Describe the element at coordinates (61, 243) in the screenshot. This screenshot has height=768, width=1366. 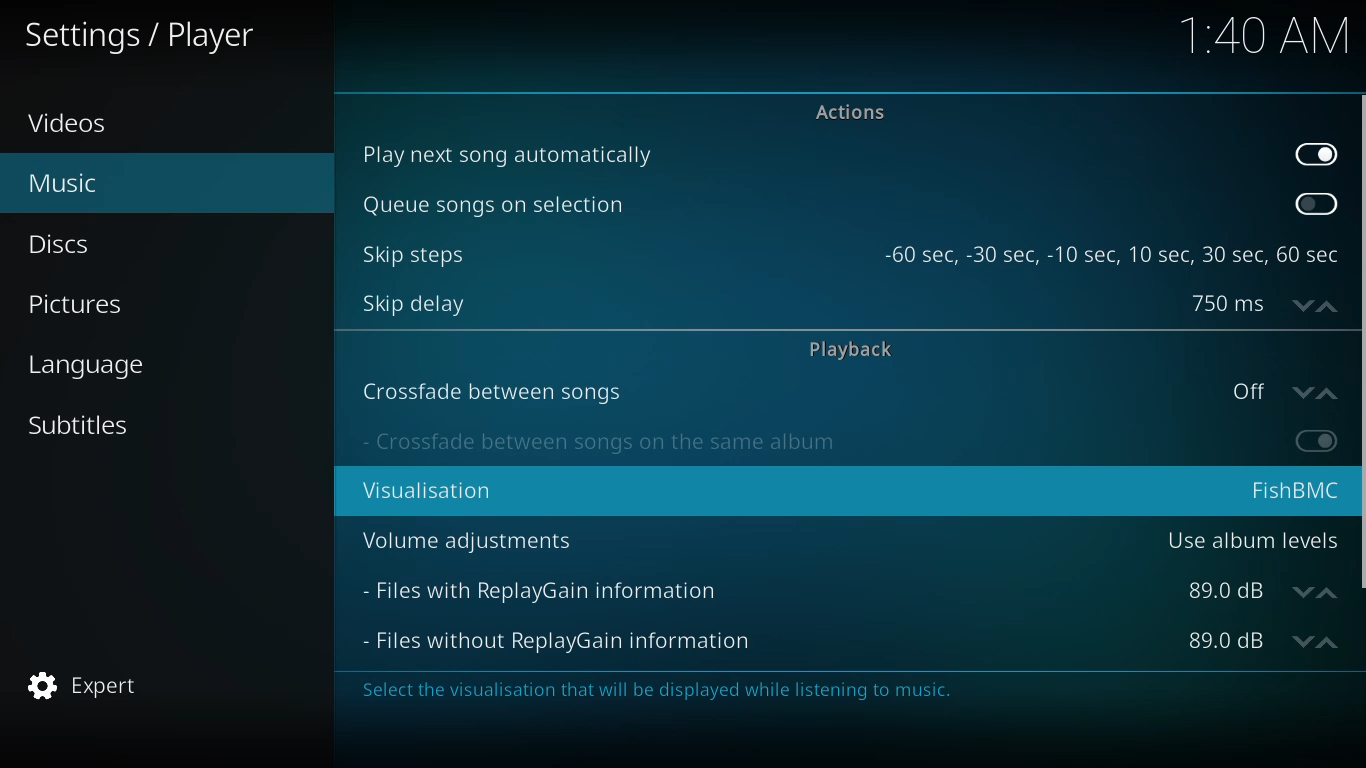
I see `discs` at that location.